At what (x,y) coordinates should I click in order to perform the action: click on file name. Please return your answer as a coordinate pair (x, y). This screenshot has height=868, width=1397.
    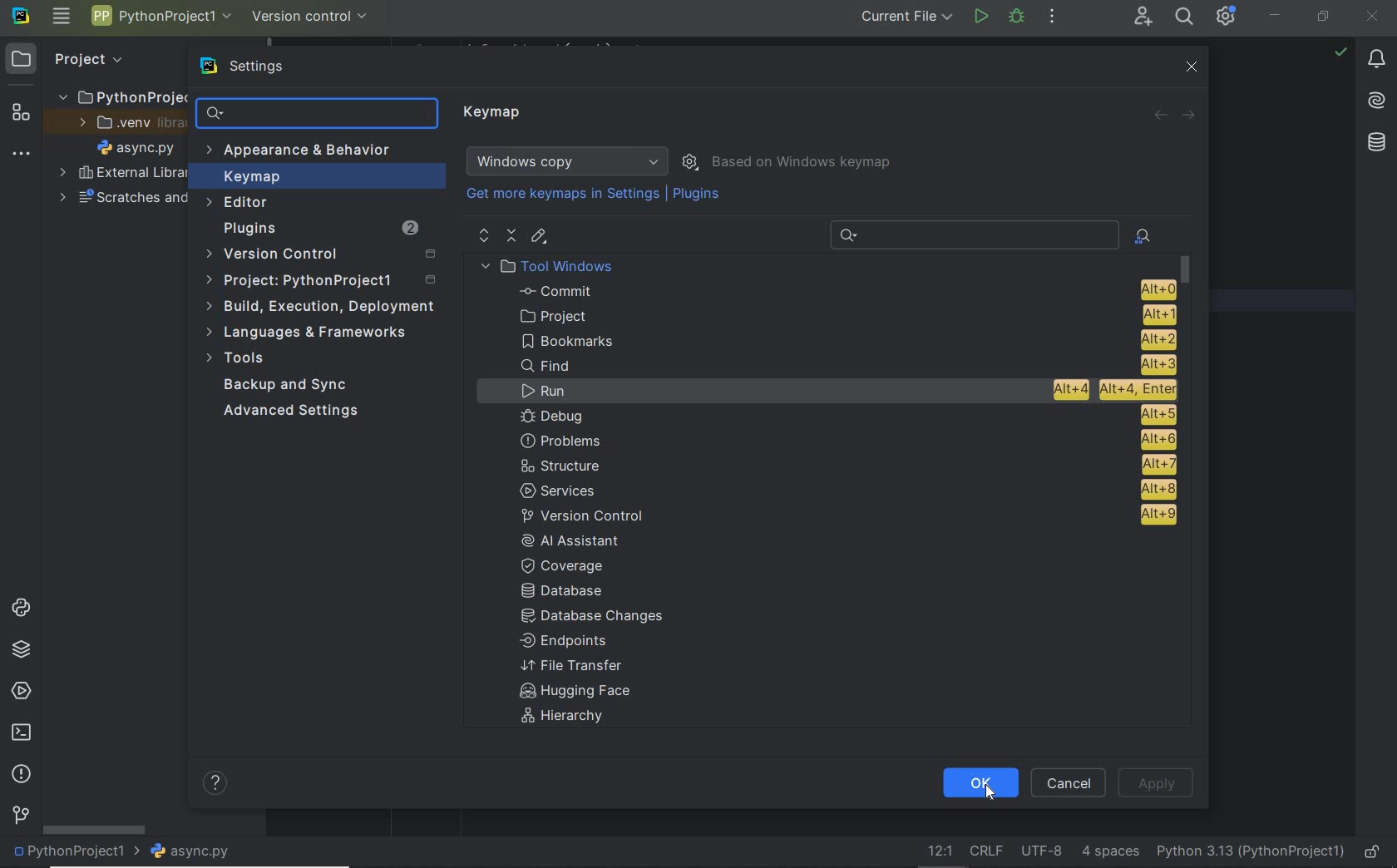
    Looking at the image, I should click on (190, 852).